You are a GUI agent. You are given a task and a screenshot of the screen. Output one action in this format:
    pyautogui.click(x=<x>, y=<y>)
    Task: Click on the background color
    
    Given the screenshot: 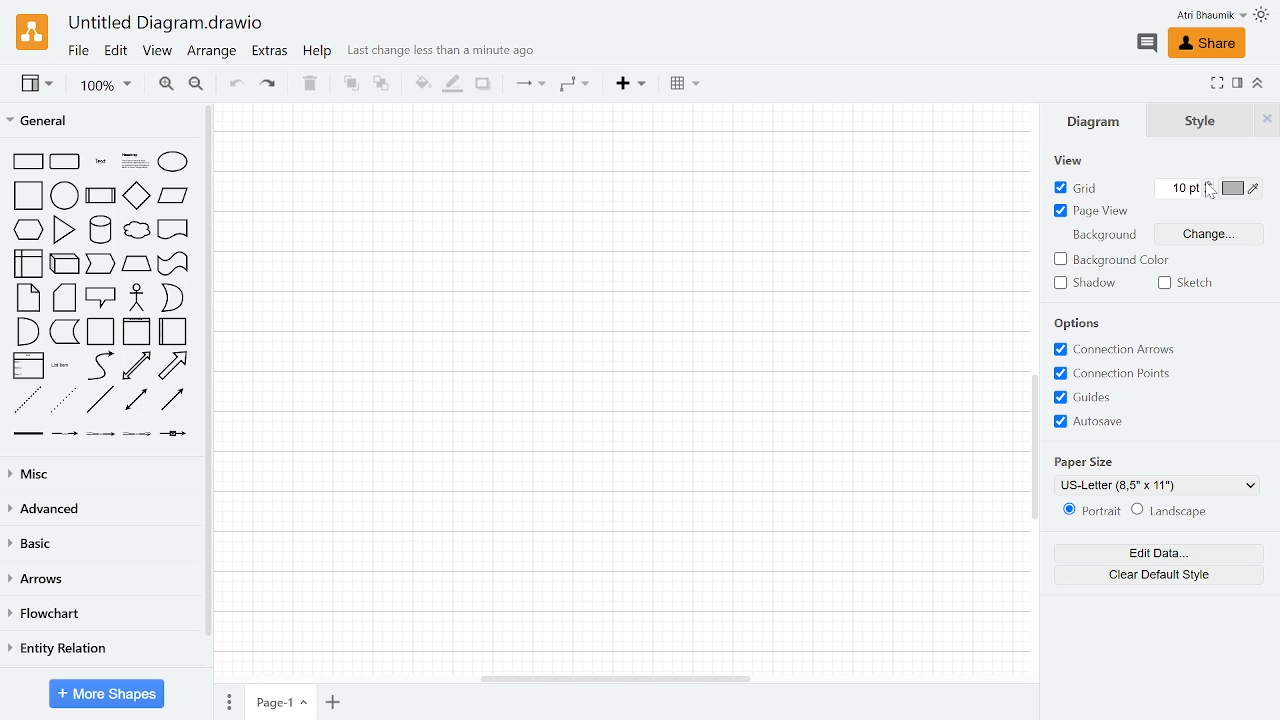 What is the action you would take?
    pyautogui.click(x=1114, y=260)
    